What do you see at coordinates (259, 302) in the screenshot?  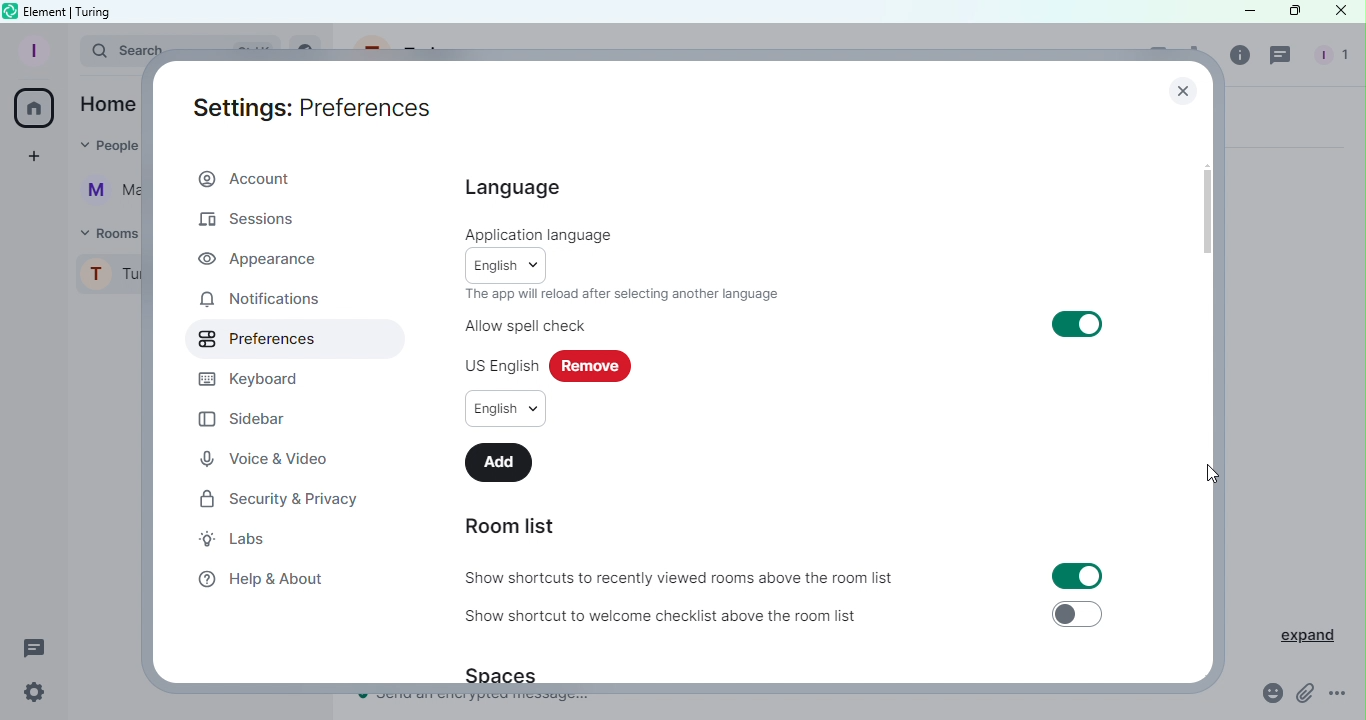 I see `Notifications` at bounding box center [259, 302].